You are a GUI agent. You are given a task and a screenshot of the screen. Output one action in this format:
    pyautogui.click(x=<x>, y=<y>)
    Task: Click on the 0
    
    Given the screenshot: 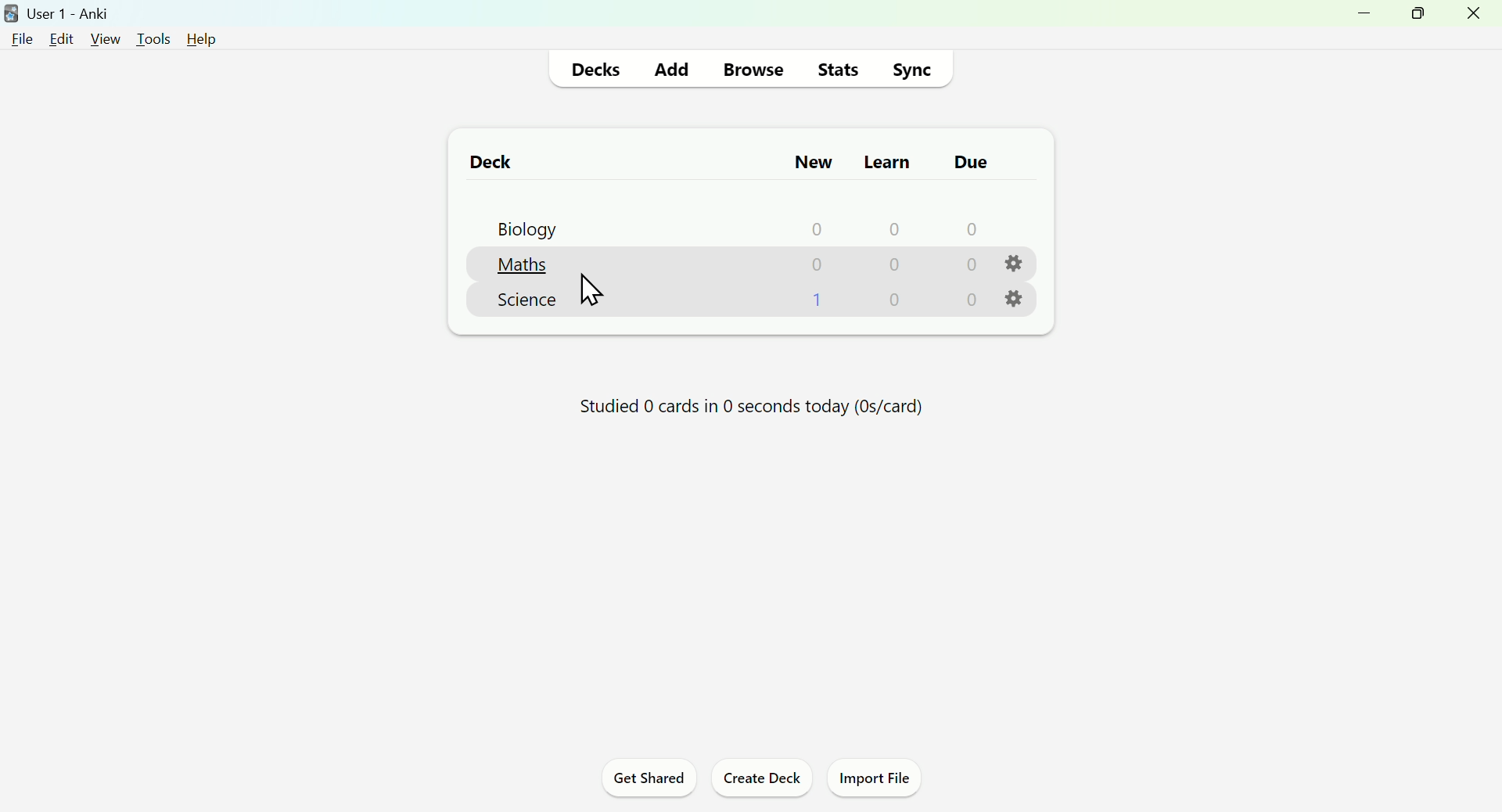 What is the action you would take?
    pyautogui.click(x=893, y=228)
    